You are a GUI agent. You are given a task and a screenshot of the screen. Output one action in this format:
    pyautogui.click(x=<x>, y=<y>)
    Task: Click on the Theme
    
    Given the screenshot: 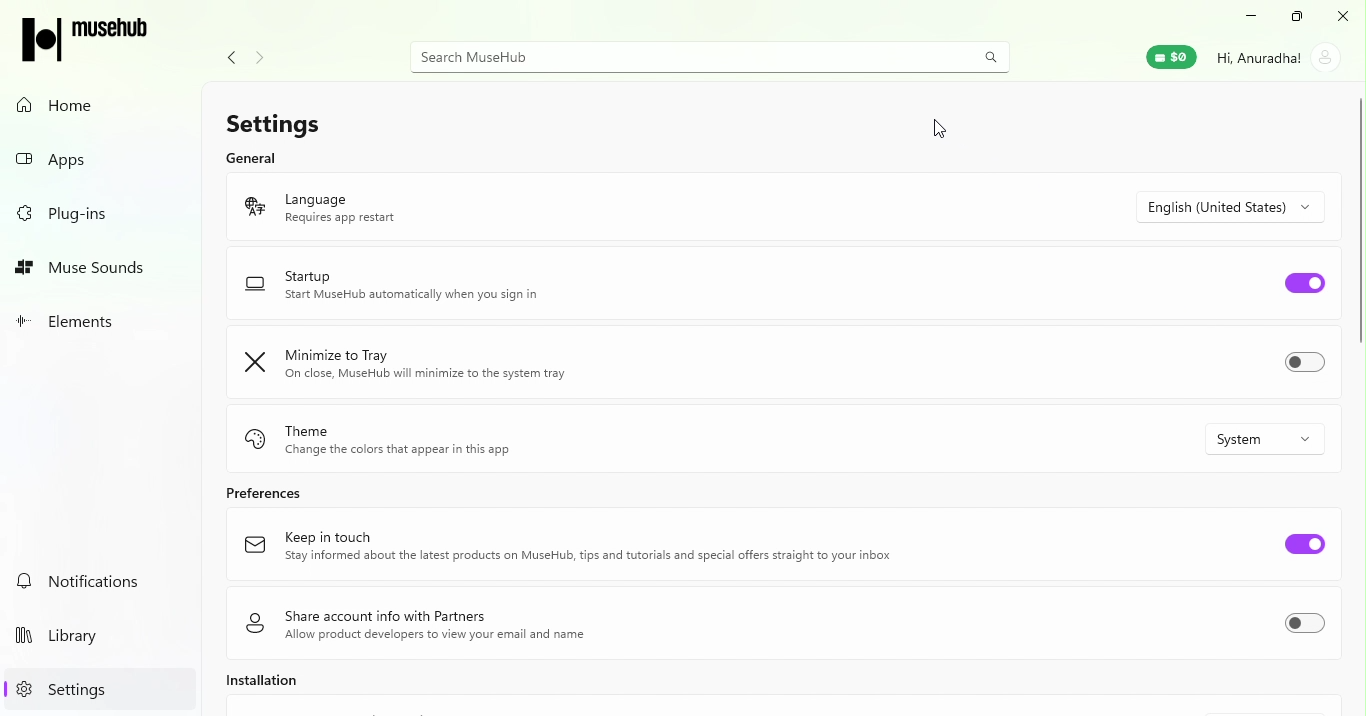 What is the action you would take?
    pyautogui.click(x=416, y=439)
    